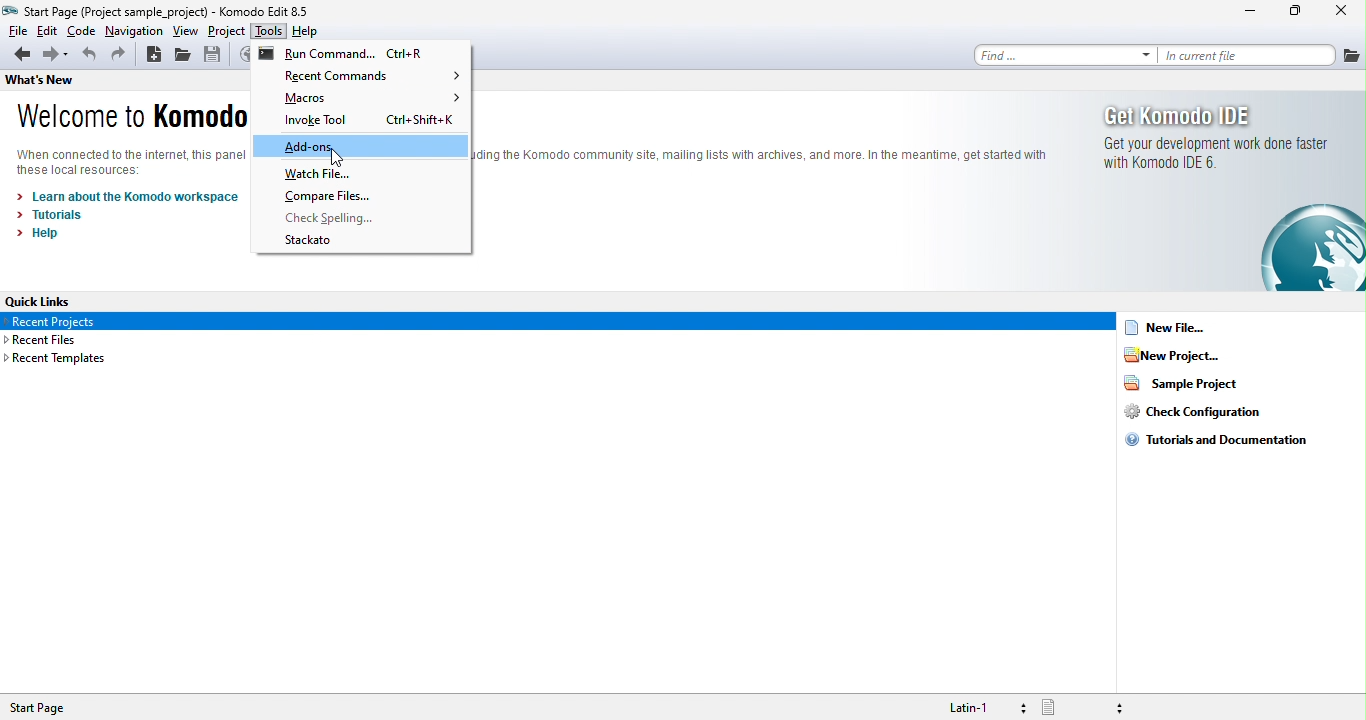 The height and width of the screenshot is (720, 1366). What do you see at coordinates (1340, 10) in the screenshot?
I see `close` at bounding box center [1340, 10].